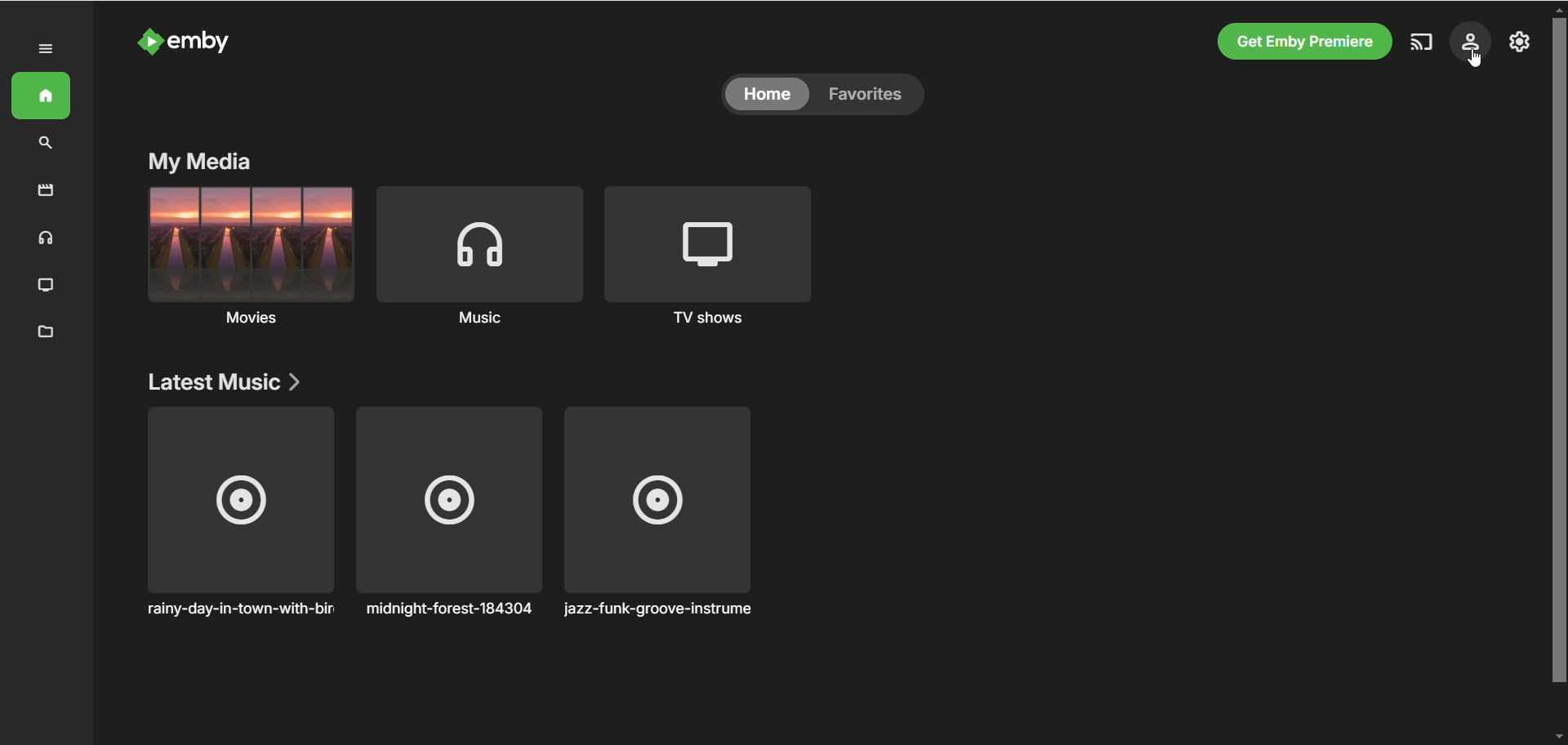 This screenshot has width=1568, height=745. I want to click on favorites, so click(871, 96).